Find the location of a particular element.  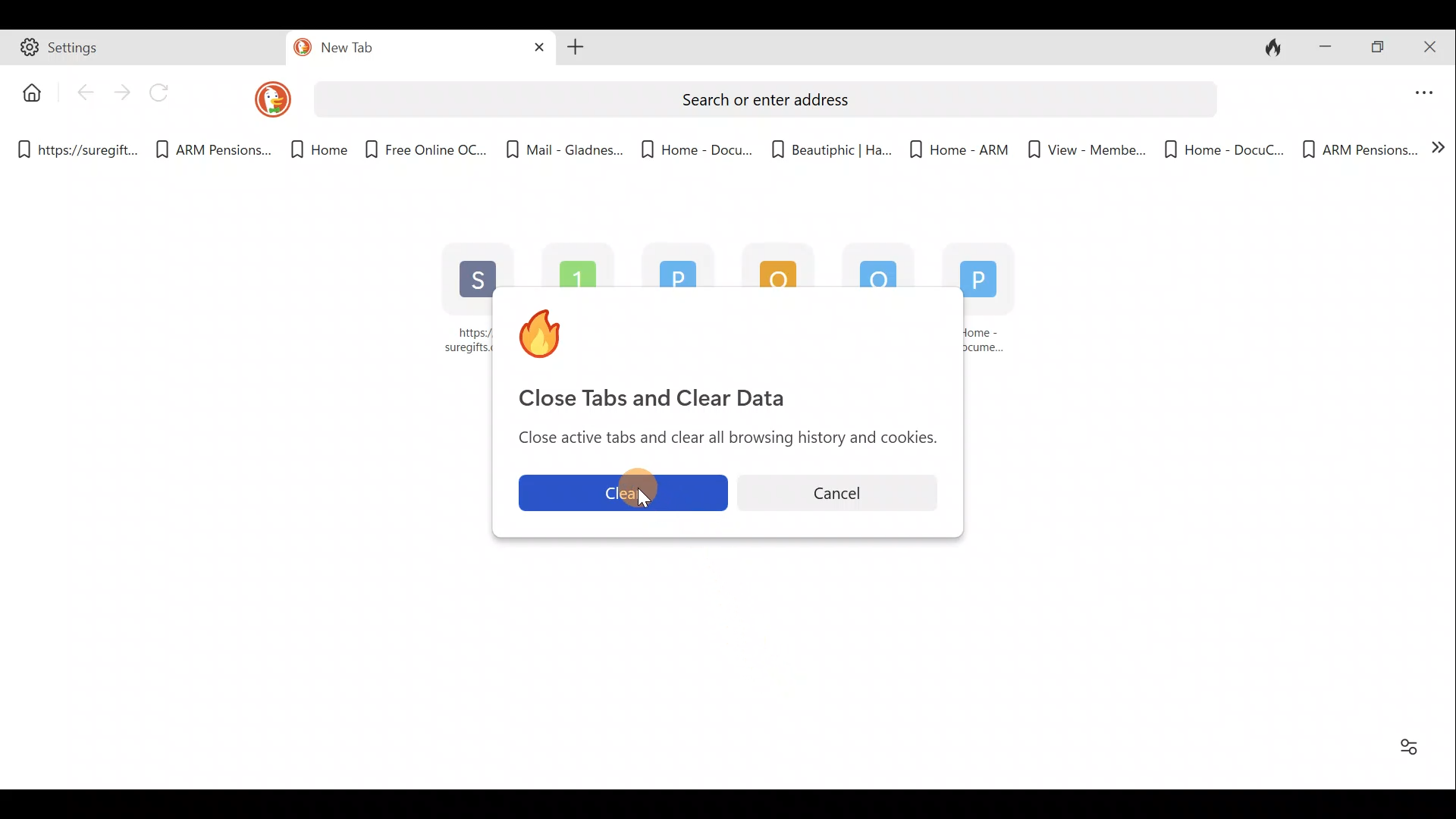

Back is located at coordinates (84, 96).